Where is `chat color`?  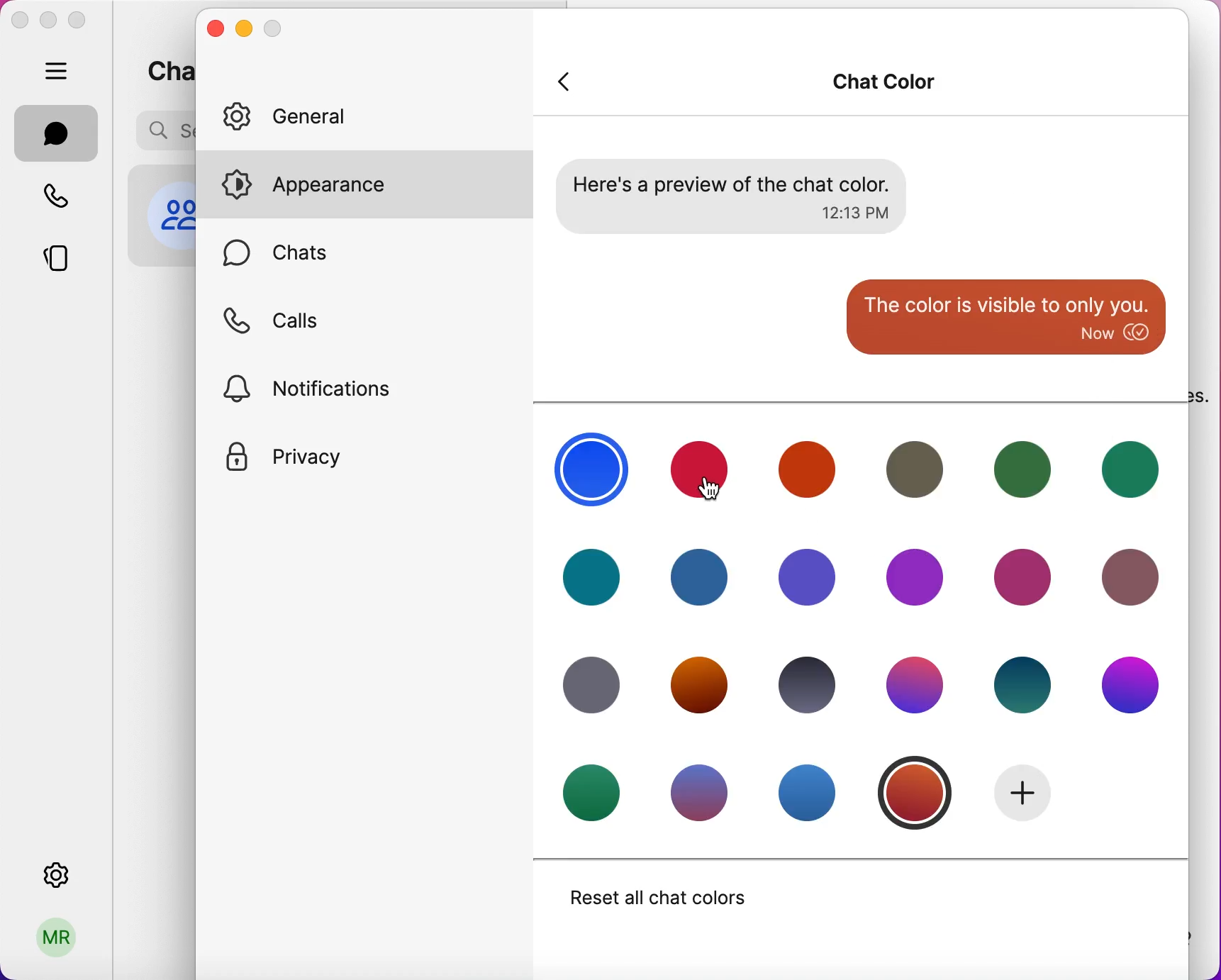 chat color is located at coordinates (880, 82).